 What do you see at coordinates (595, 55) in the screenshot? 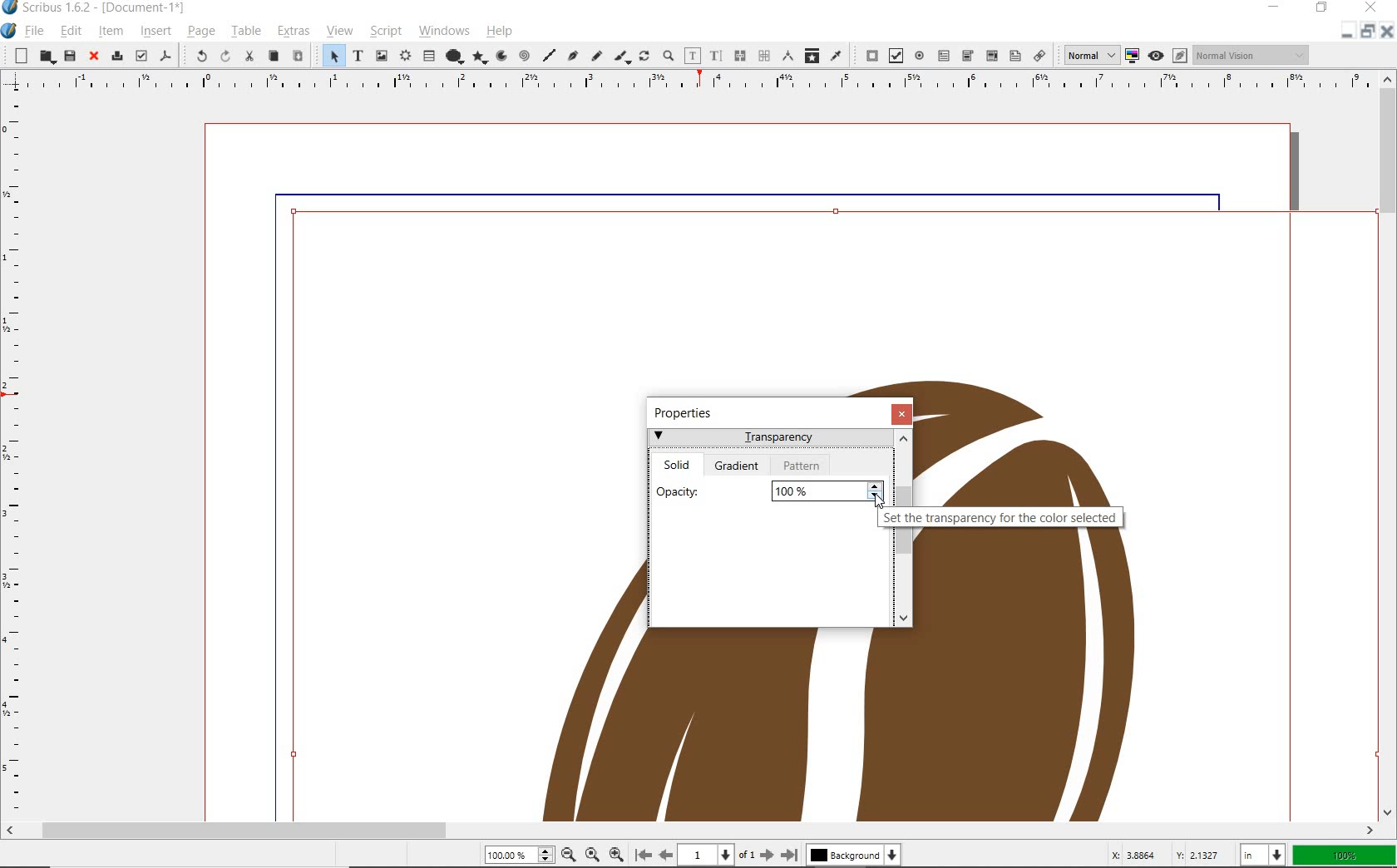
I see `freehand line` at bounding box center [595, 55].